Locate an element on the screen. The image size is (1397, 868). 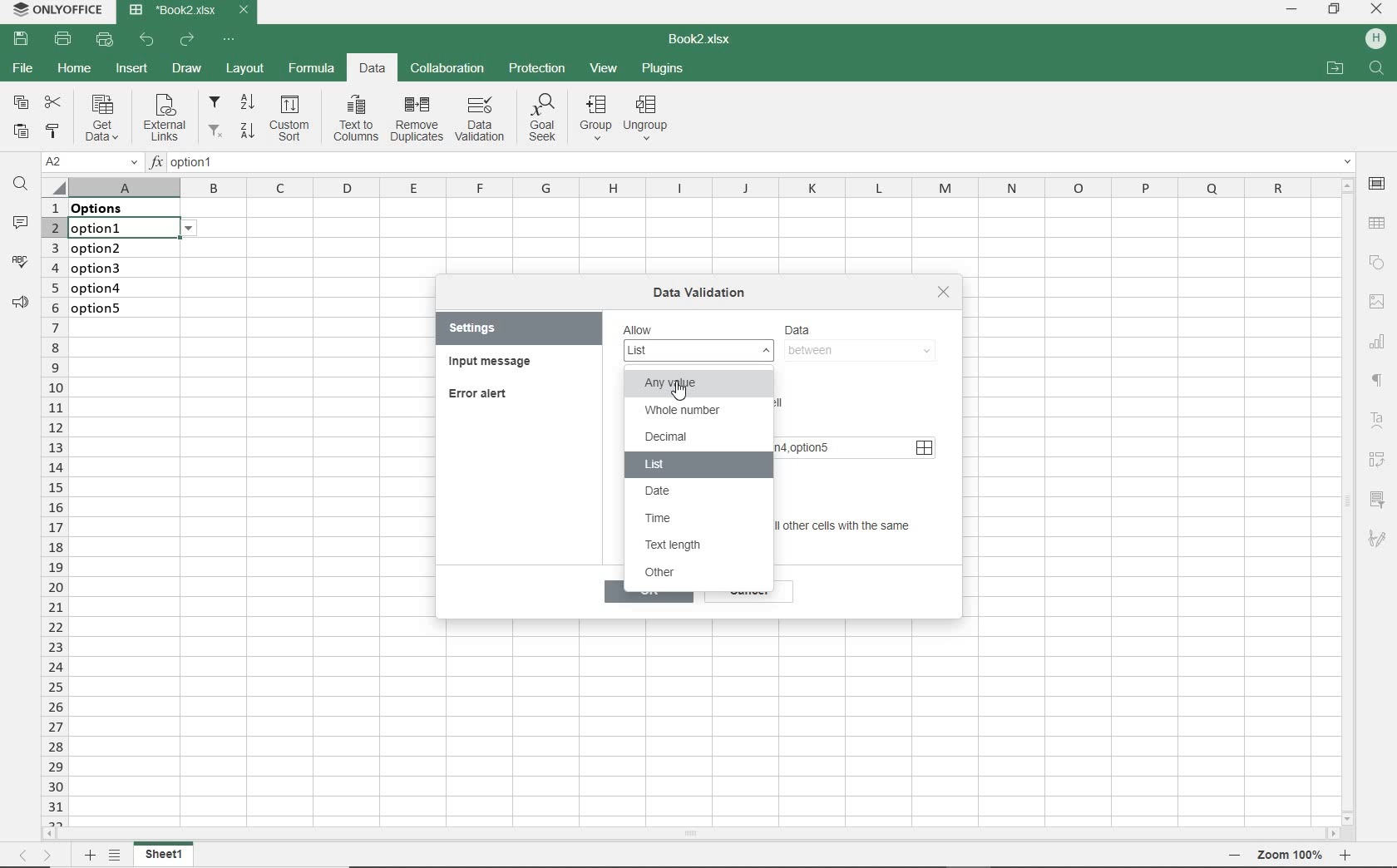
DATA is located at coordinates (863, 328).